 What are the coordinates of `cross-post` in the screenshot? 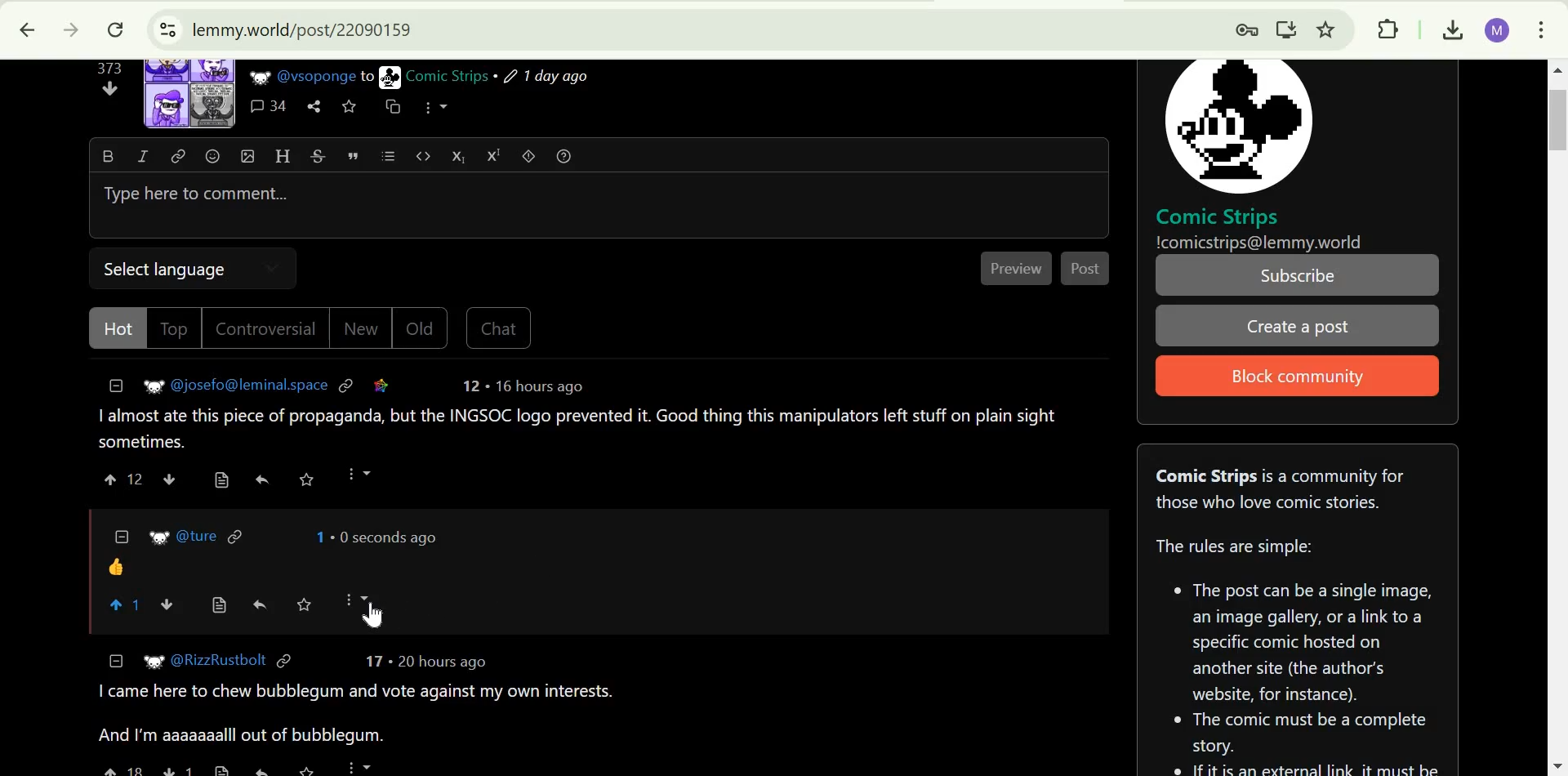 It's located at (391, 105).